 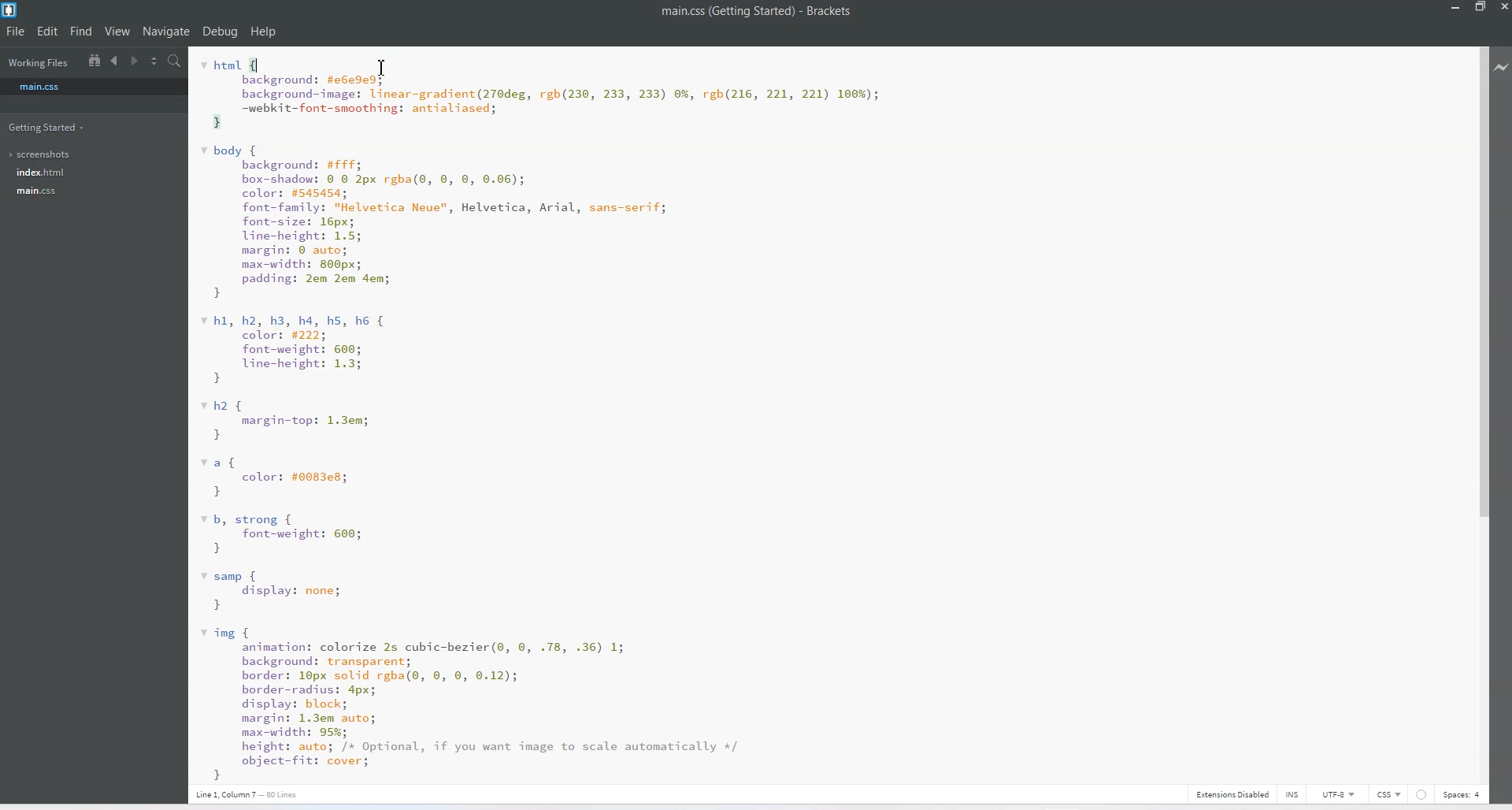 I want to click on Maximize, so click(x=1480, y=8).